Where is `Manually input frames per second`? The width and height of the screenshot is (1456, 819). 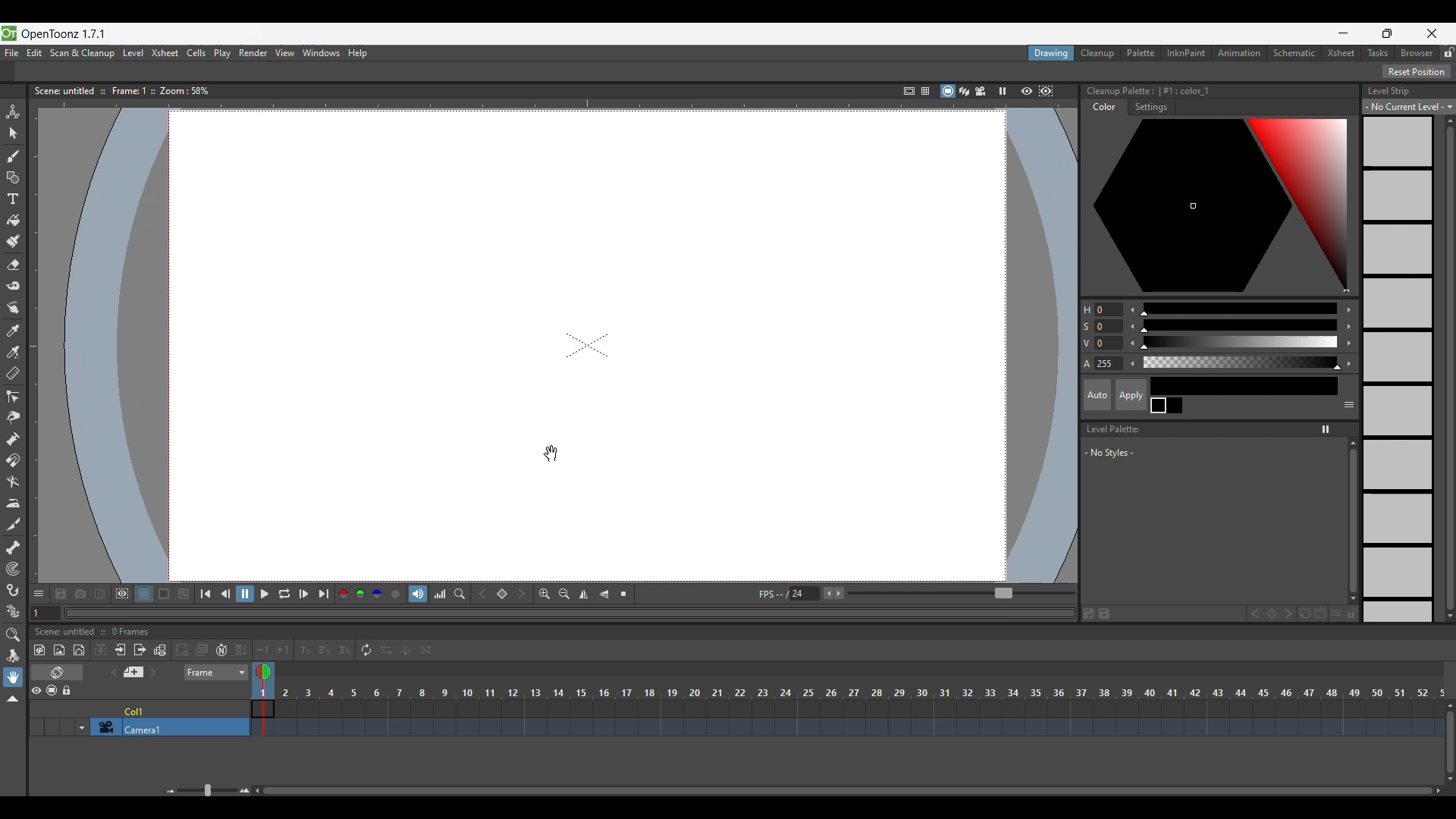
Manually input frames per second is located at coordinates (789, 594).